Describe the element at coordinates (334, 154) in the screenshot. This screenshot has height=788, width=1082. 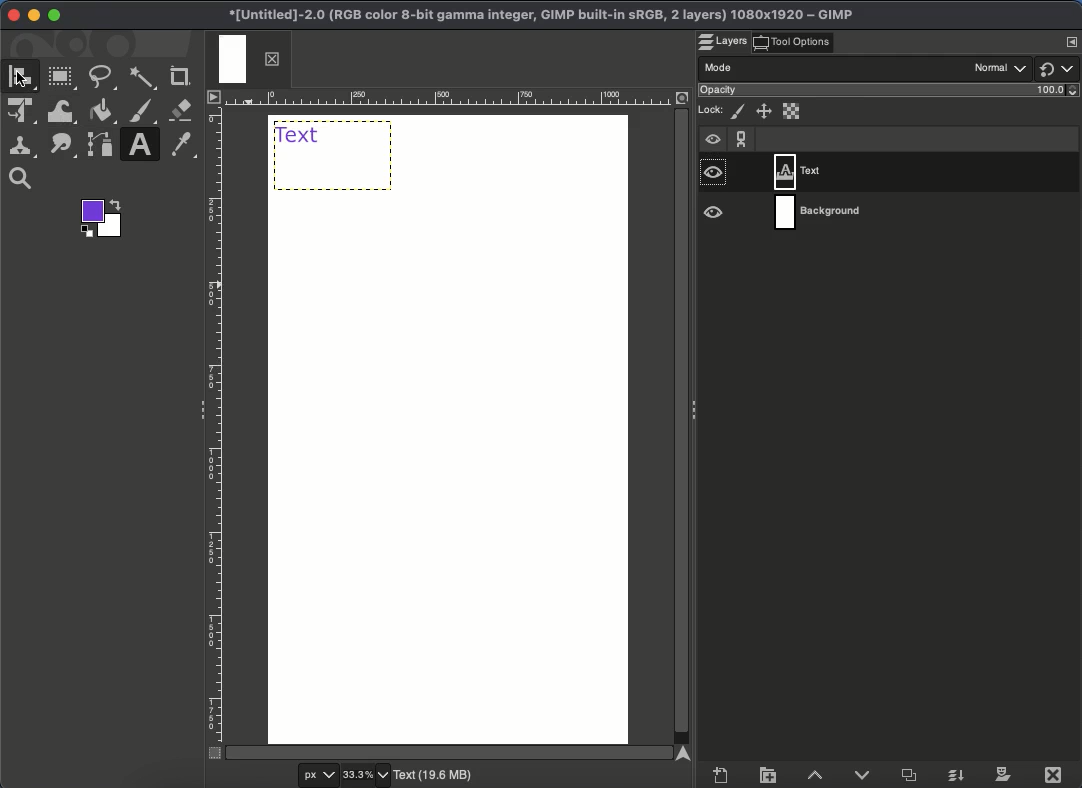
I see `Text` at that location.